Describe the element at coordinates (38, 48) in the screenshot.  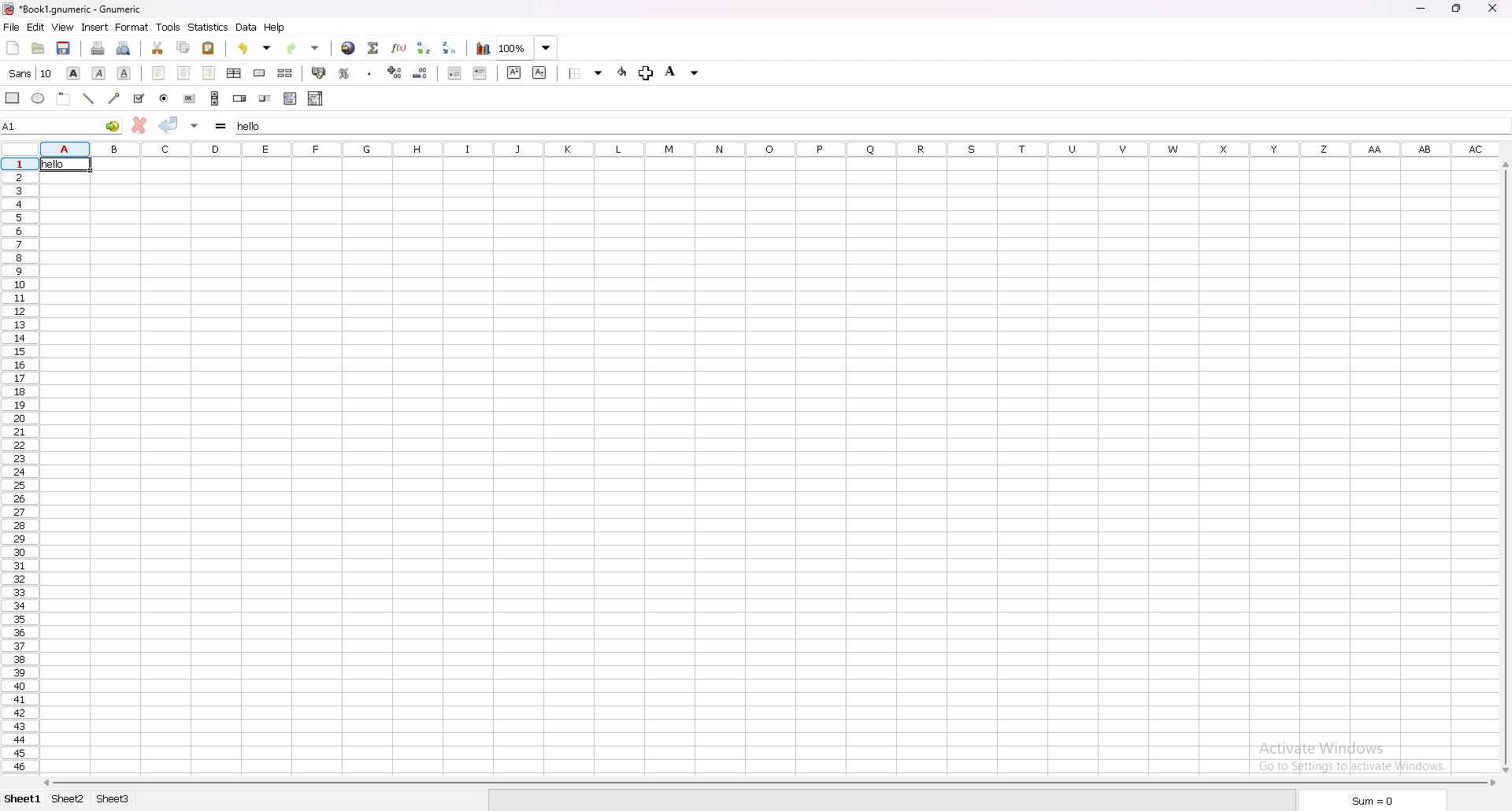
I see `open` at that location.